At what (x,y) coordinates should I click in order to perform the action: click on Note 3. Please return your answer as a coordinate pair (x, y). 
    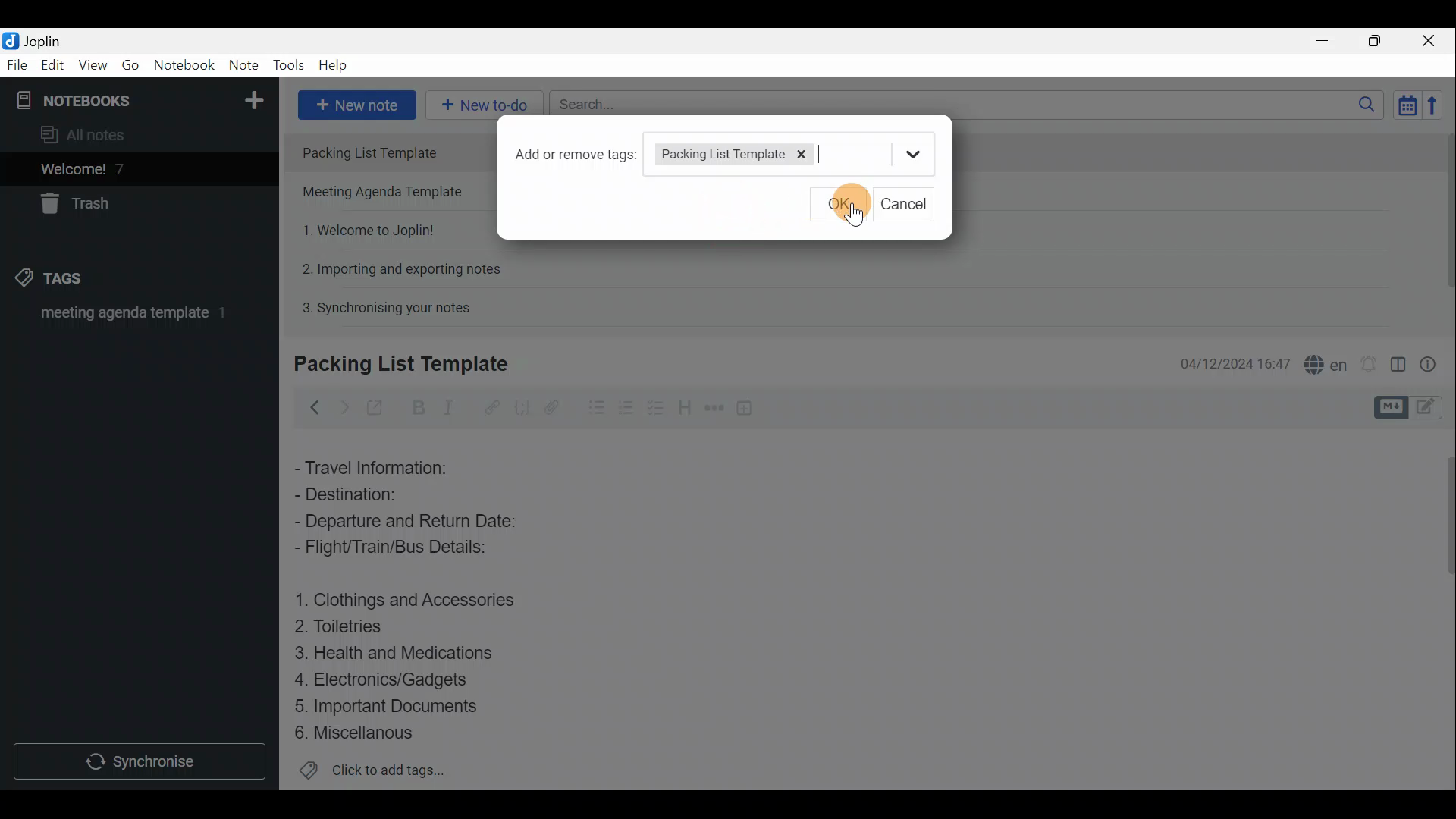
    Looking at the image, I should click on (362, 228).